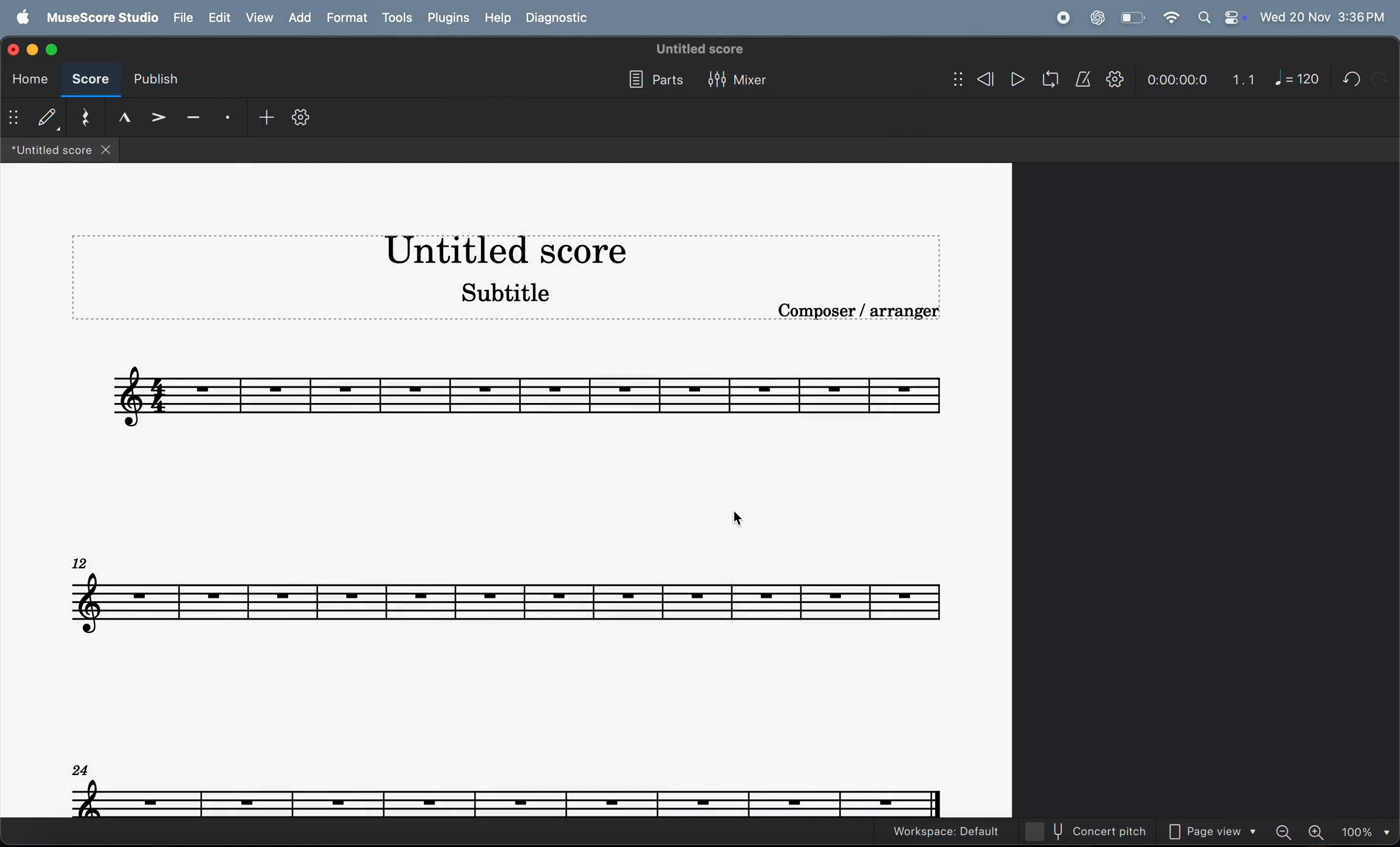  I want to click on Title bar, so click(505, 251).